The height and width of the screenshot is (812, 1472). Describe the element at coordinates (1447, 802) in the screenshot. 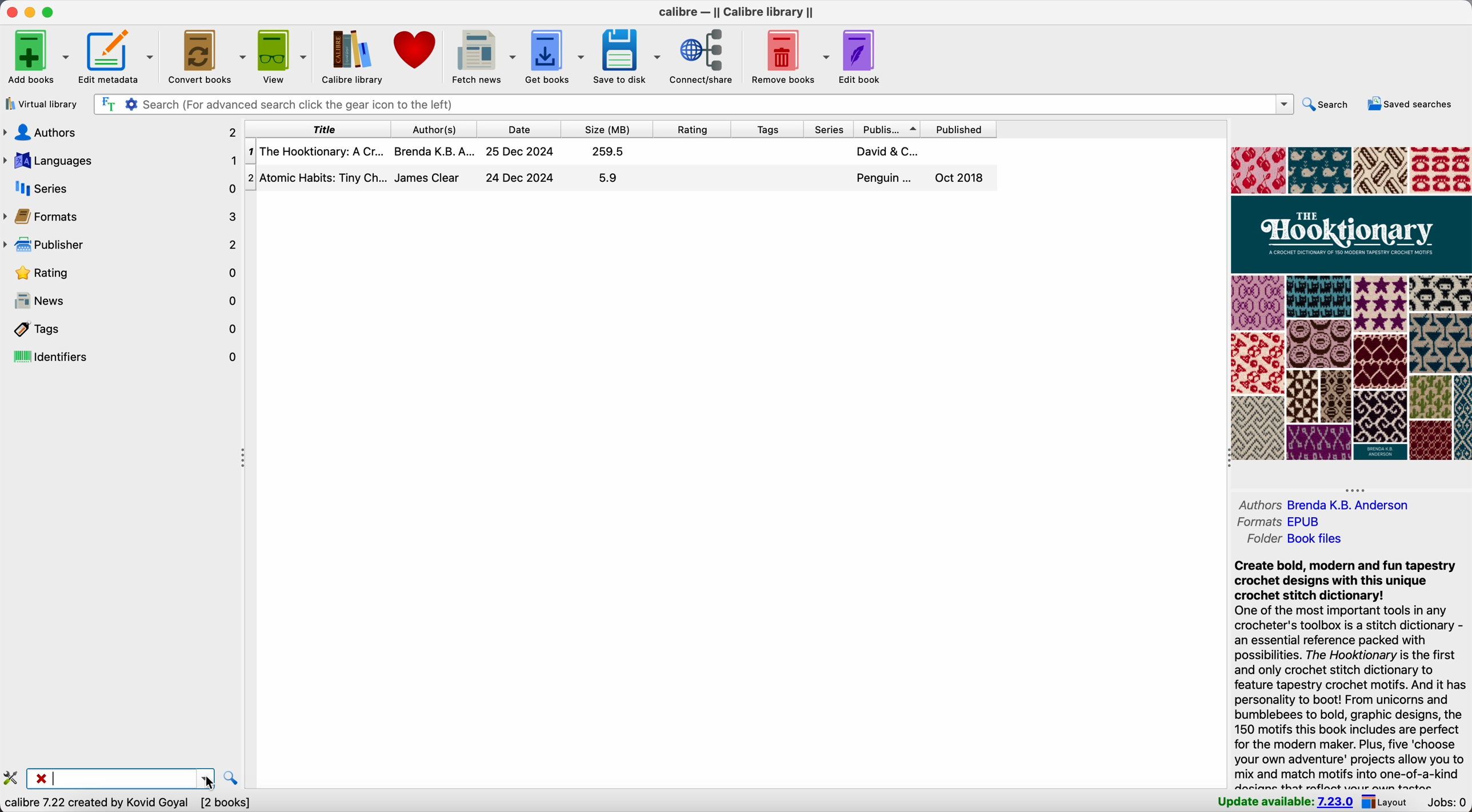

I see `Jobs: 0` at that location.